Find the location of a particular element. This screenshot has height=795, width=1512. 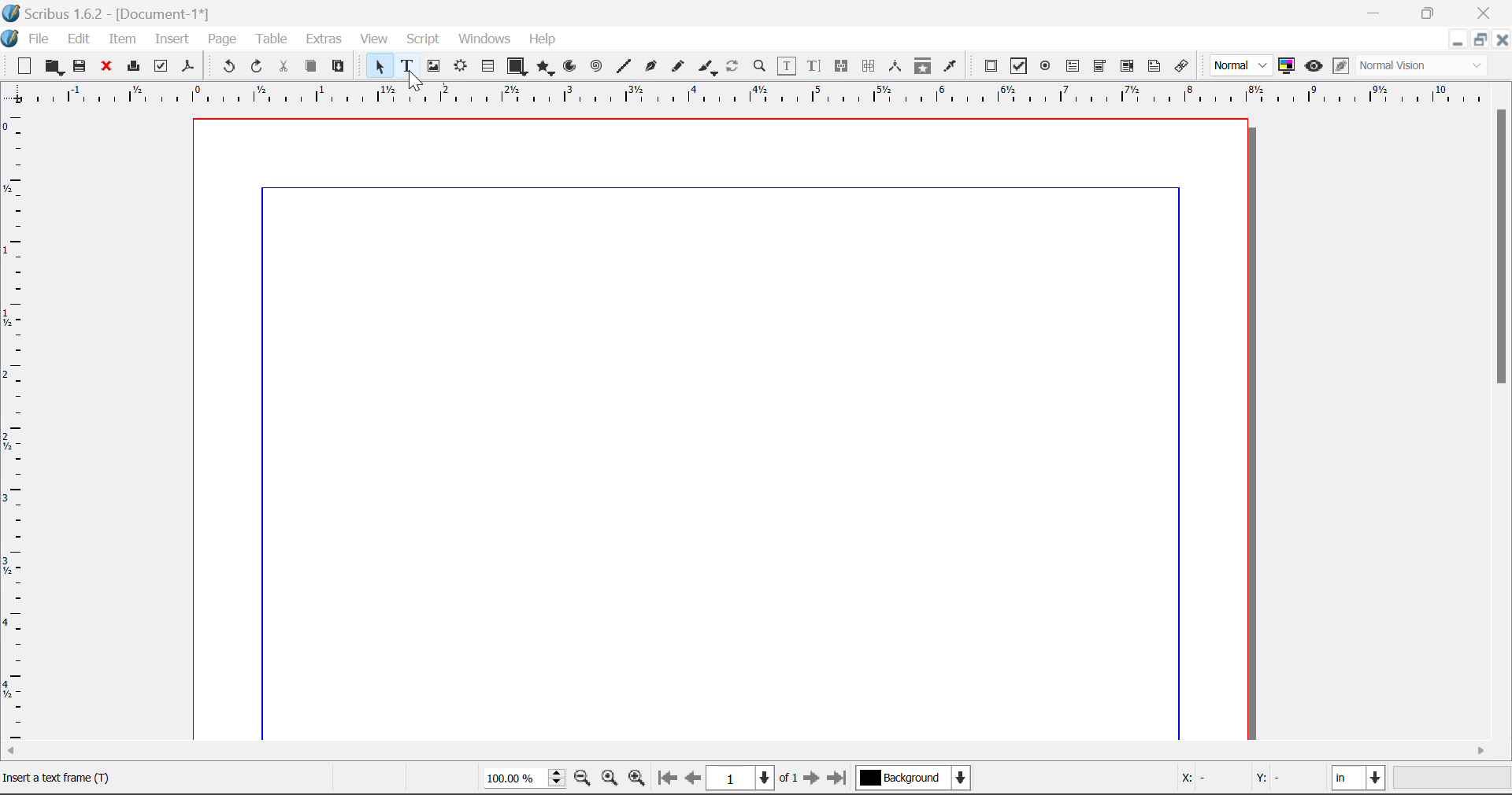

Copy is located at coordinates (310, 66).